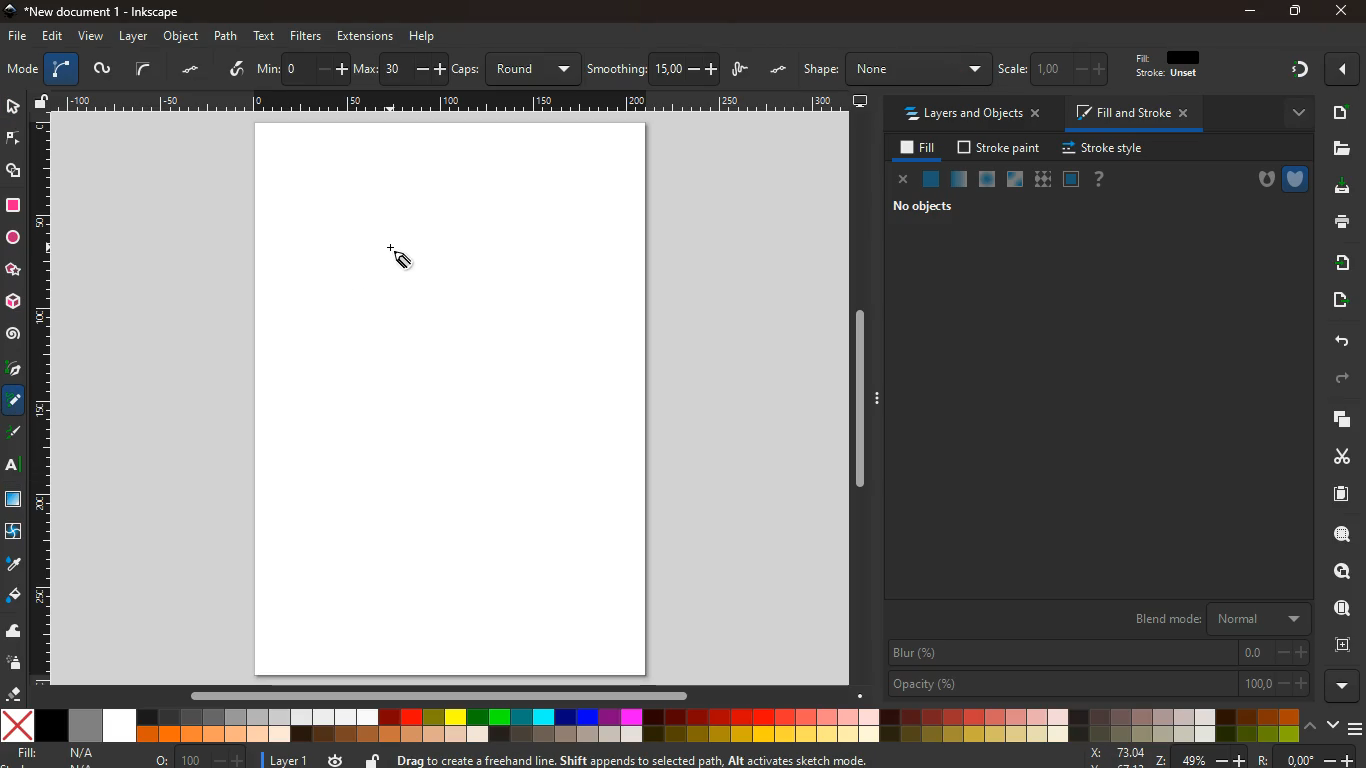 Image resolution: width=1366 pixels, height=768 pixels. What do you see at coordinates (927, 206) in the screenshot?
I see `no objects` at bounding box center [927, 206].